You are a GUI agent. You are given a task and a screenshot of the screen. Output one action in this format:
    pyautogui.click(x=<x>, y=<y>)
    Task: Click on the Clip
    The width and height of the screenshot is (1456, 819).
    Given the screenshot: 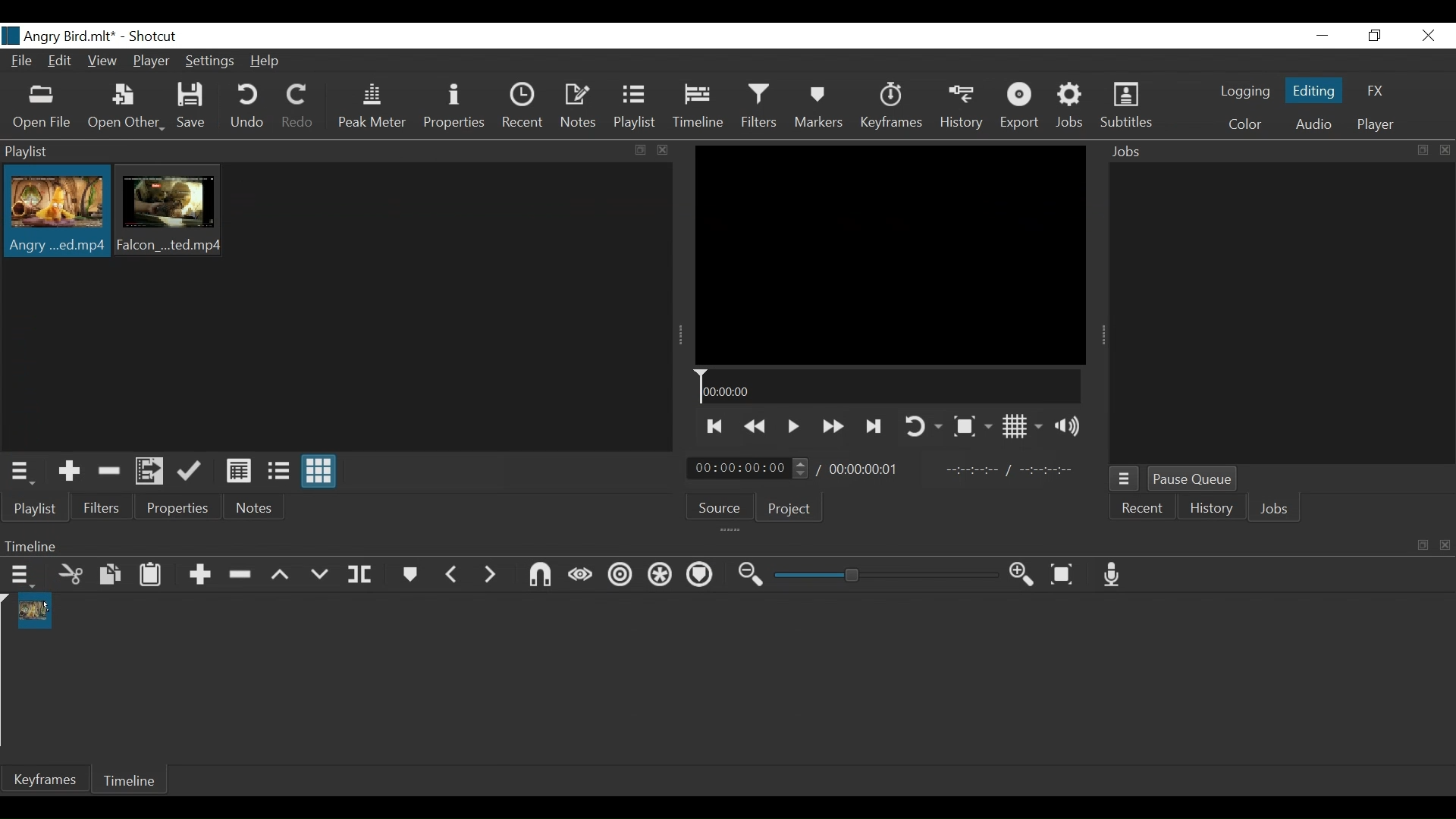 What is the action you would take?
    pyautogui.click(x=55, y=213)
    